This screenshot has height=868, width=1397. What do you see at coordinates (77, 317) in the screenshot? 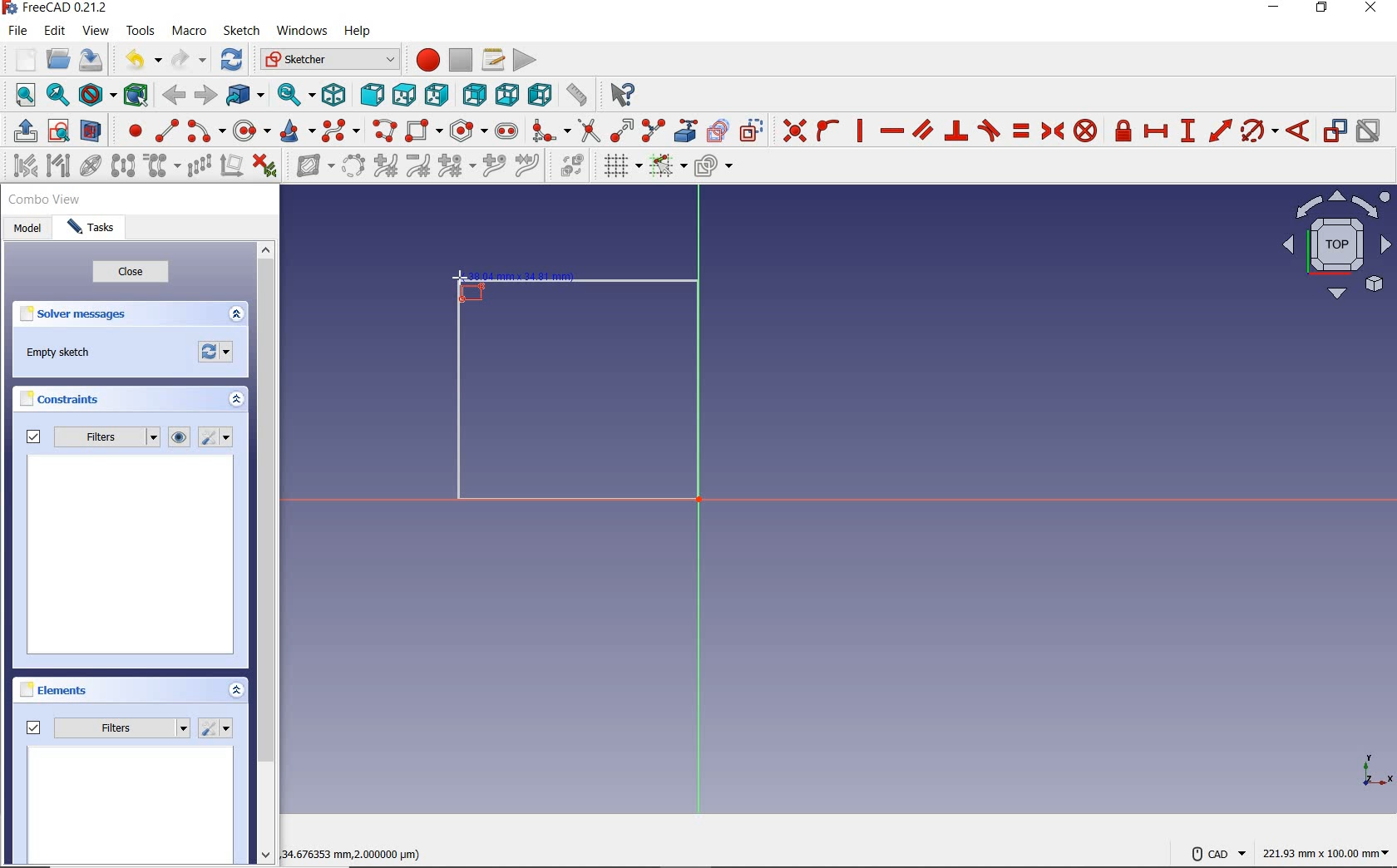
I see `solver messages` at bounding box center [77, 317].